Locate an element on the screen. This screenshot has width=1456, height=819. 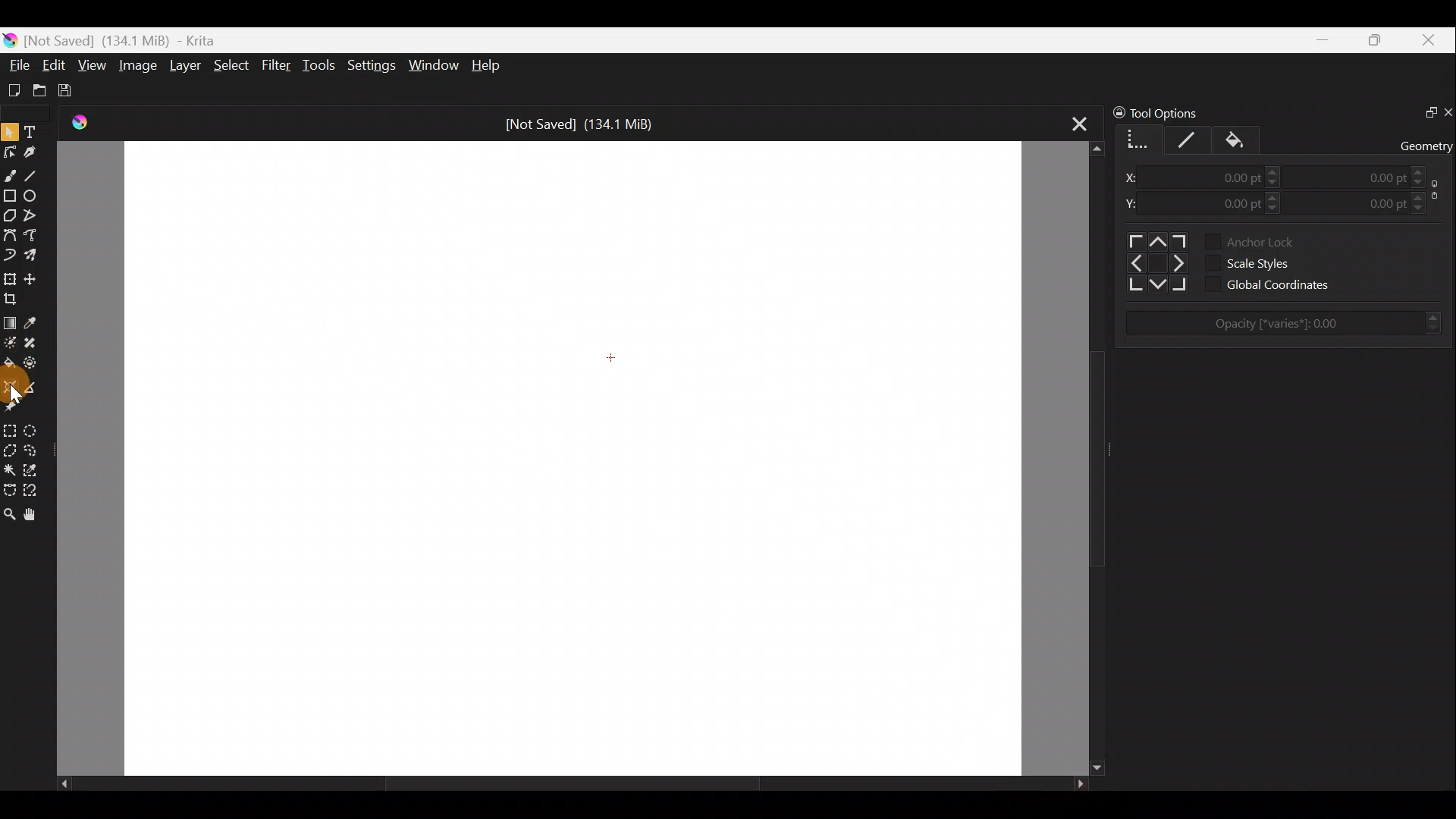
Transform a layer/selection is located at coordinates (11, 277).